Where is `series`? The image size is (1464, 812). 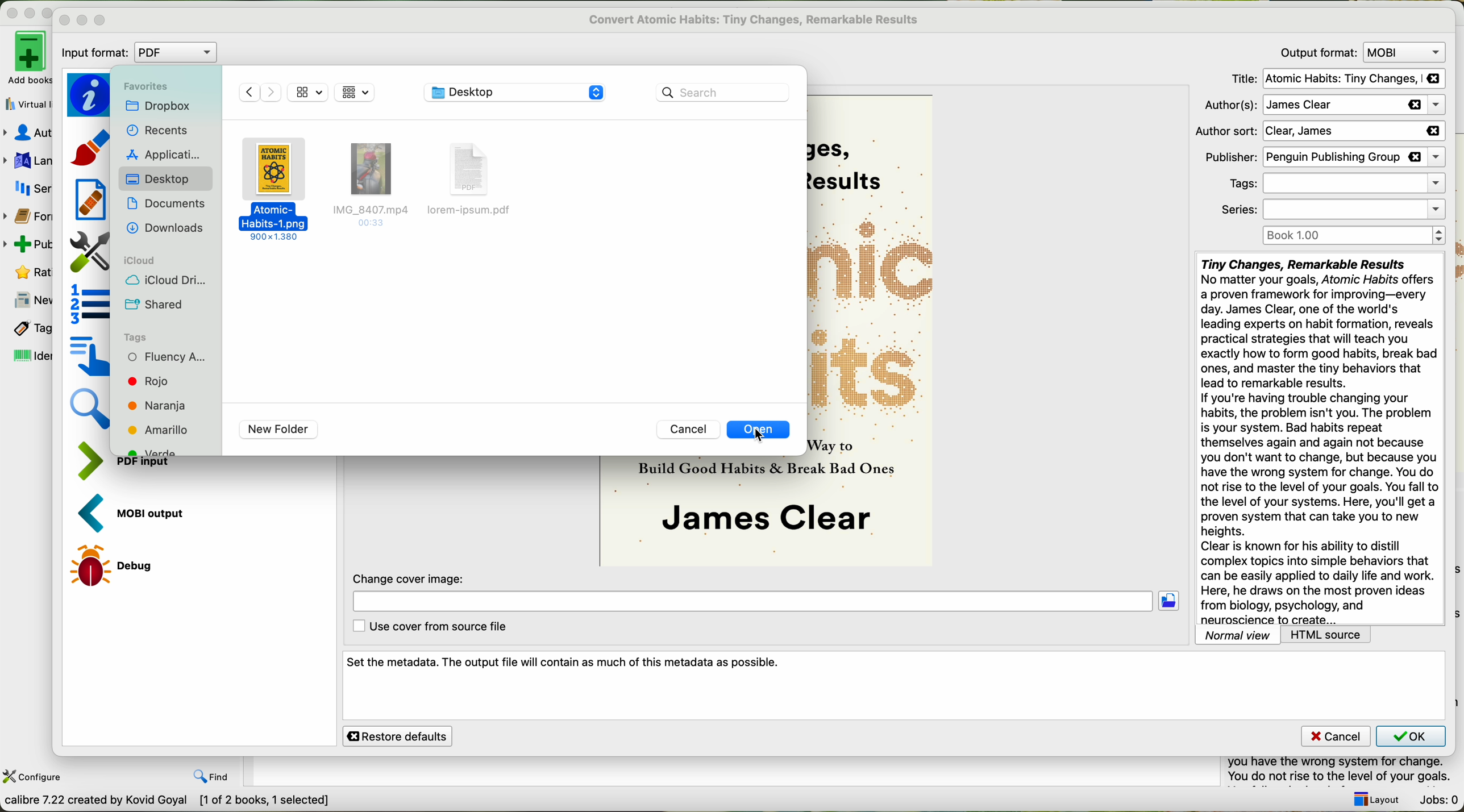 series is located at coordinates (1333, 210).